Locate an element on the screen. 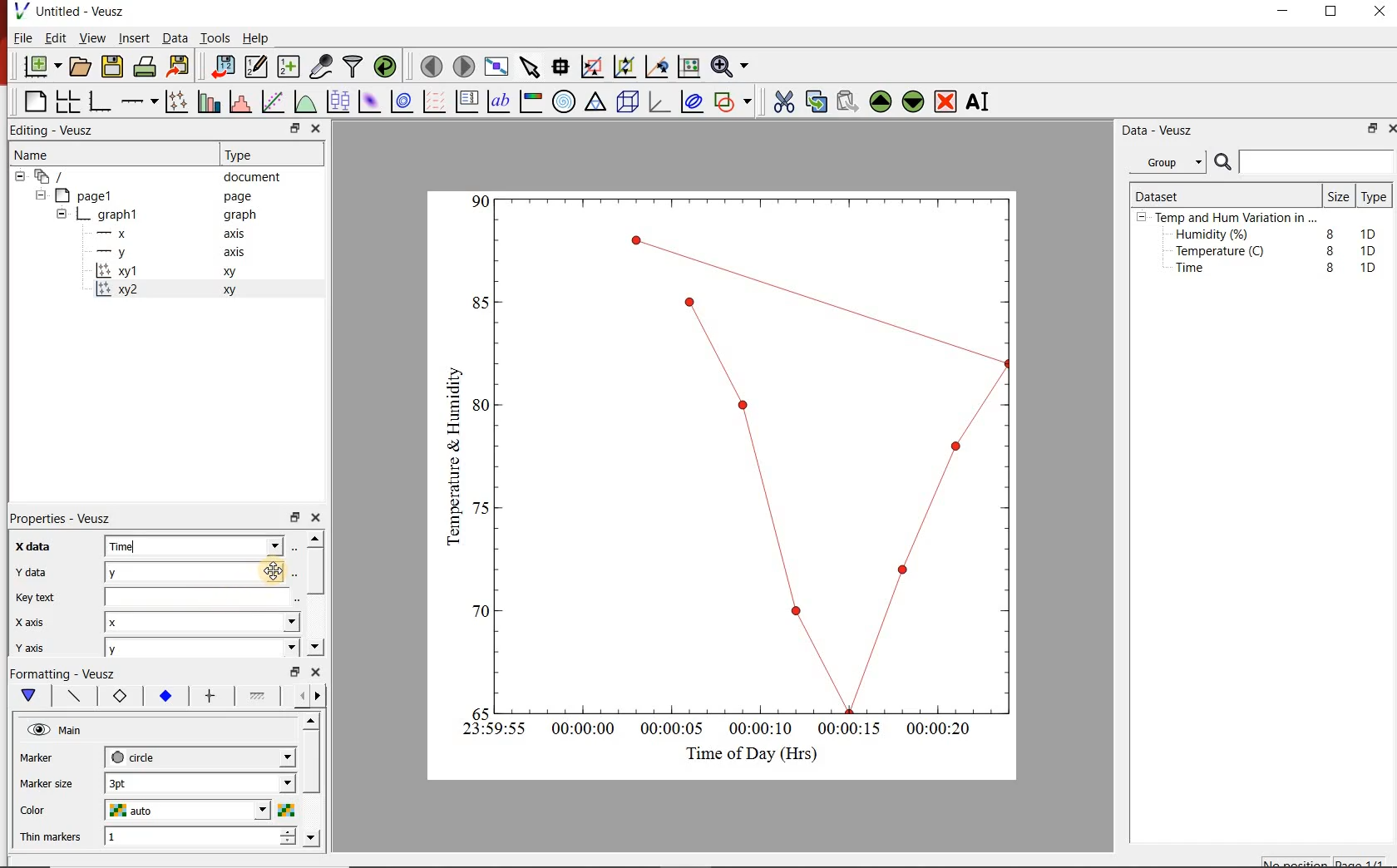  document is located at coordinates (258, 177).